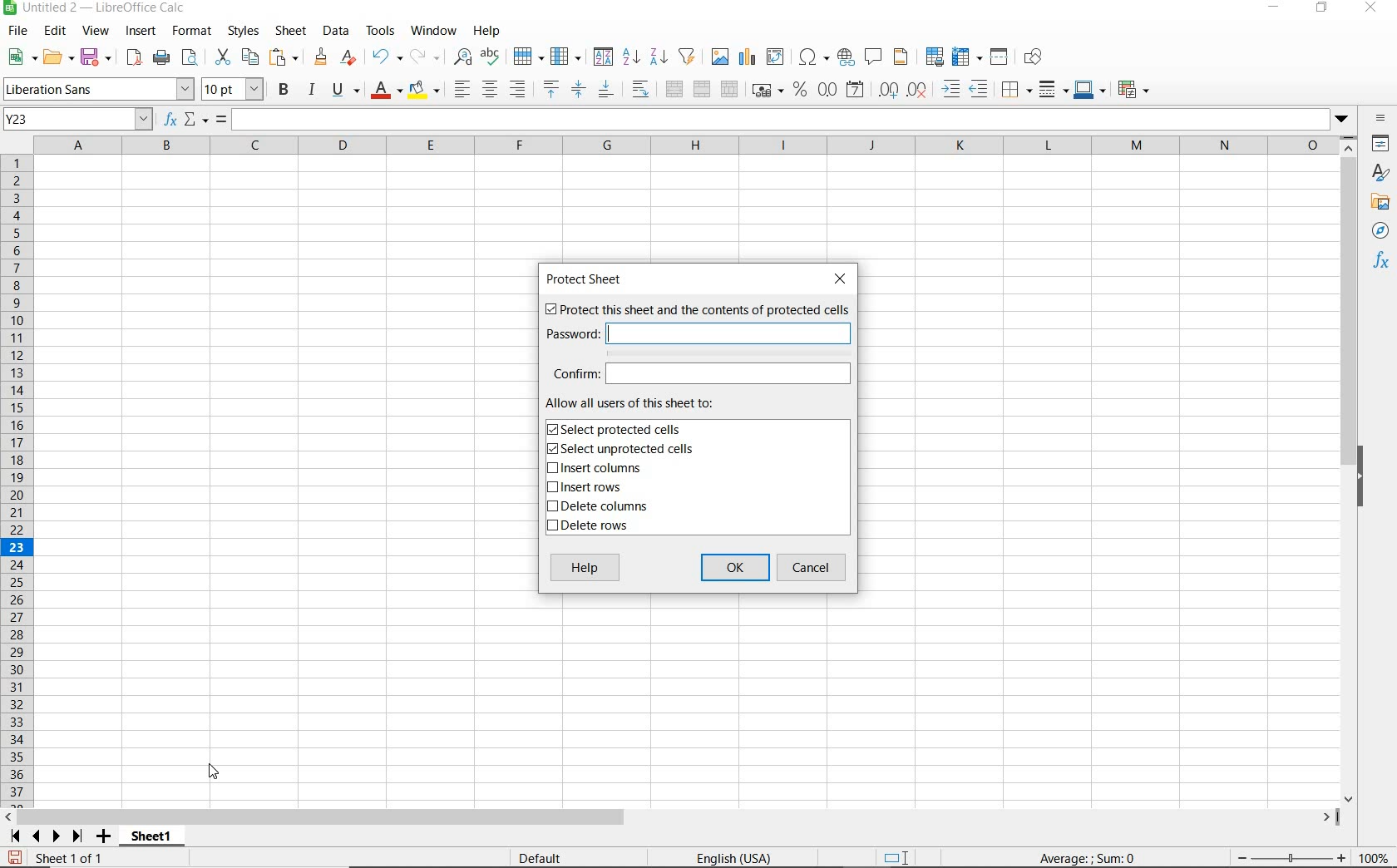 This screenshot has width=1397, height=868. Describe the element at coordinates (1034, 57) in the screenshot. I see `SHOW DRAW FUNCTIONS` at that location.